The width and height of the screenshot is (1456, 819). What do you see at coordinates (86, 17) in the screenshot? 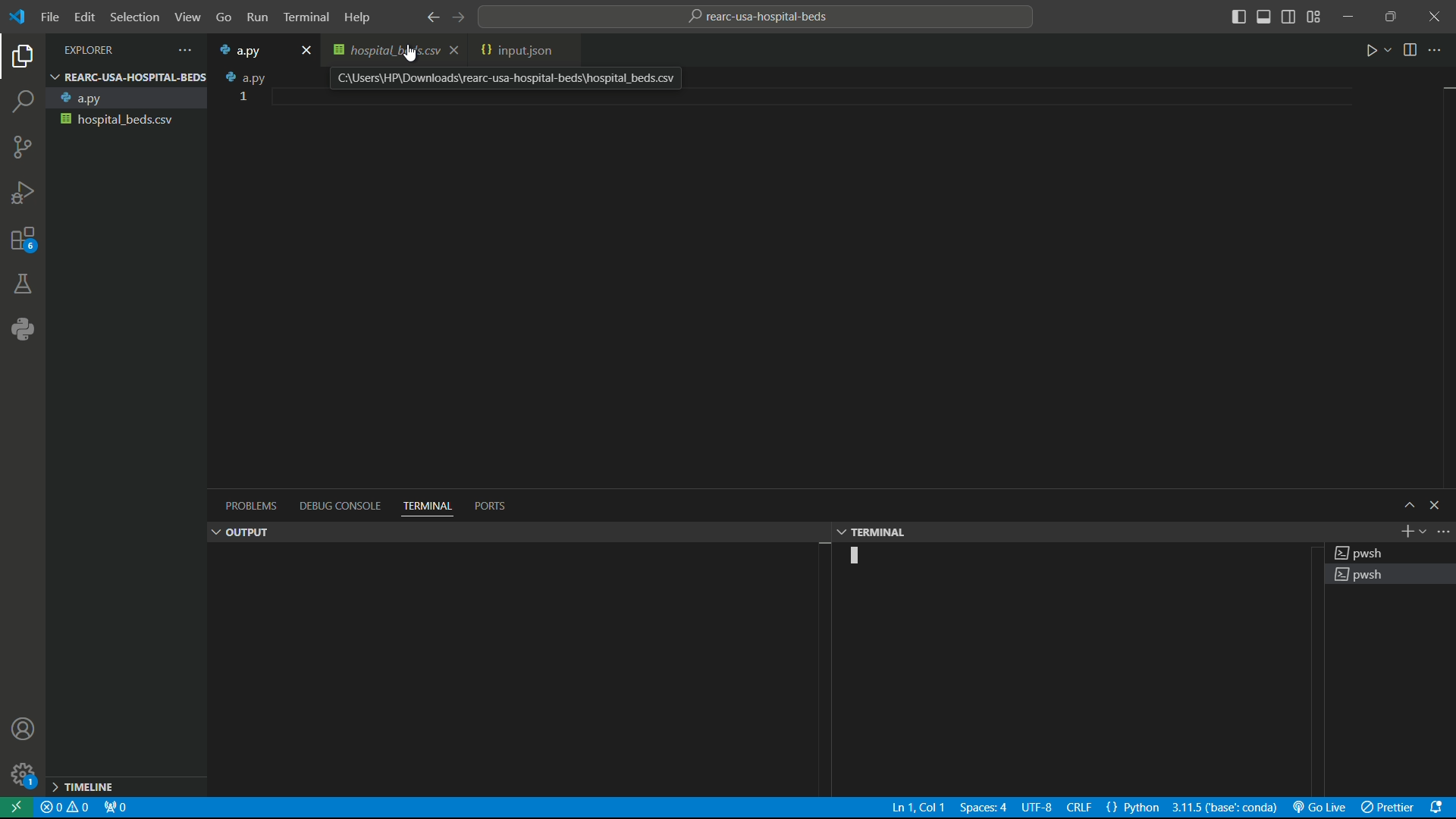
I see `edit menu` at bounding box center [86, 17].